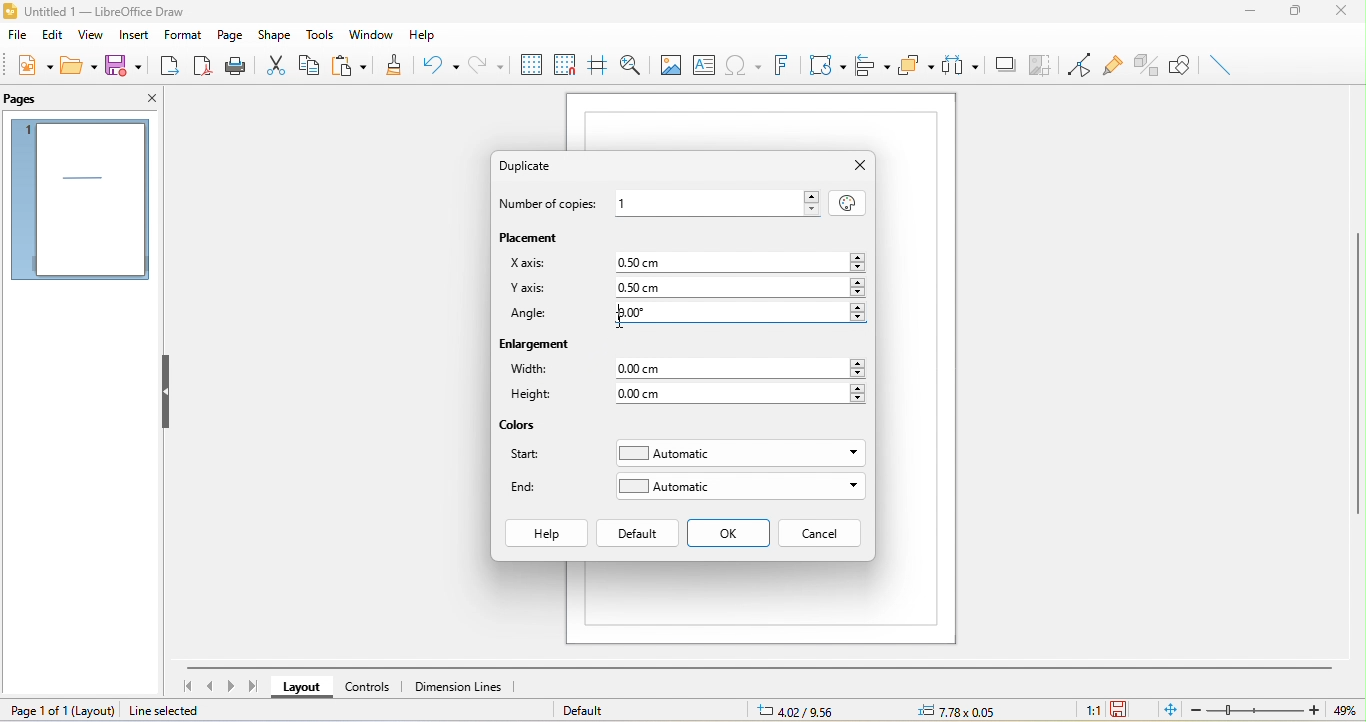  I want to click on y axis, so click(528, 290).